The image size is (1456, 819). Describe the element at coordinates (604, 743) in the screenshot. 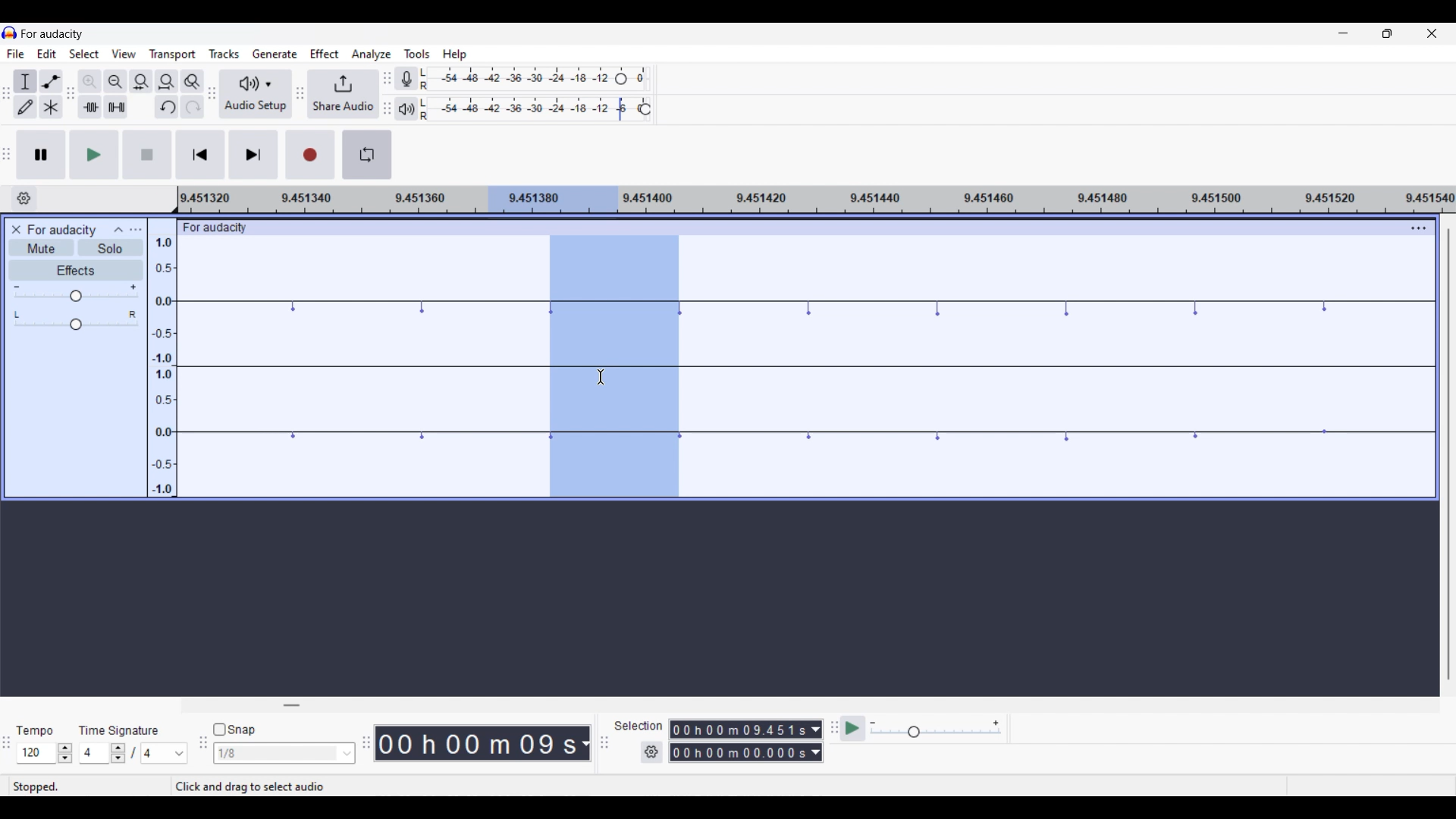

I see `Selection tool bar` at that location.